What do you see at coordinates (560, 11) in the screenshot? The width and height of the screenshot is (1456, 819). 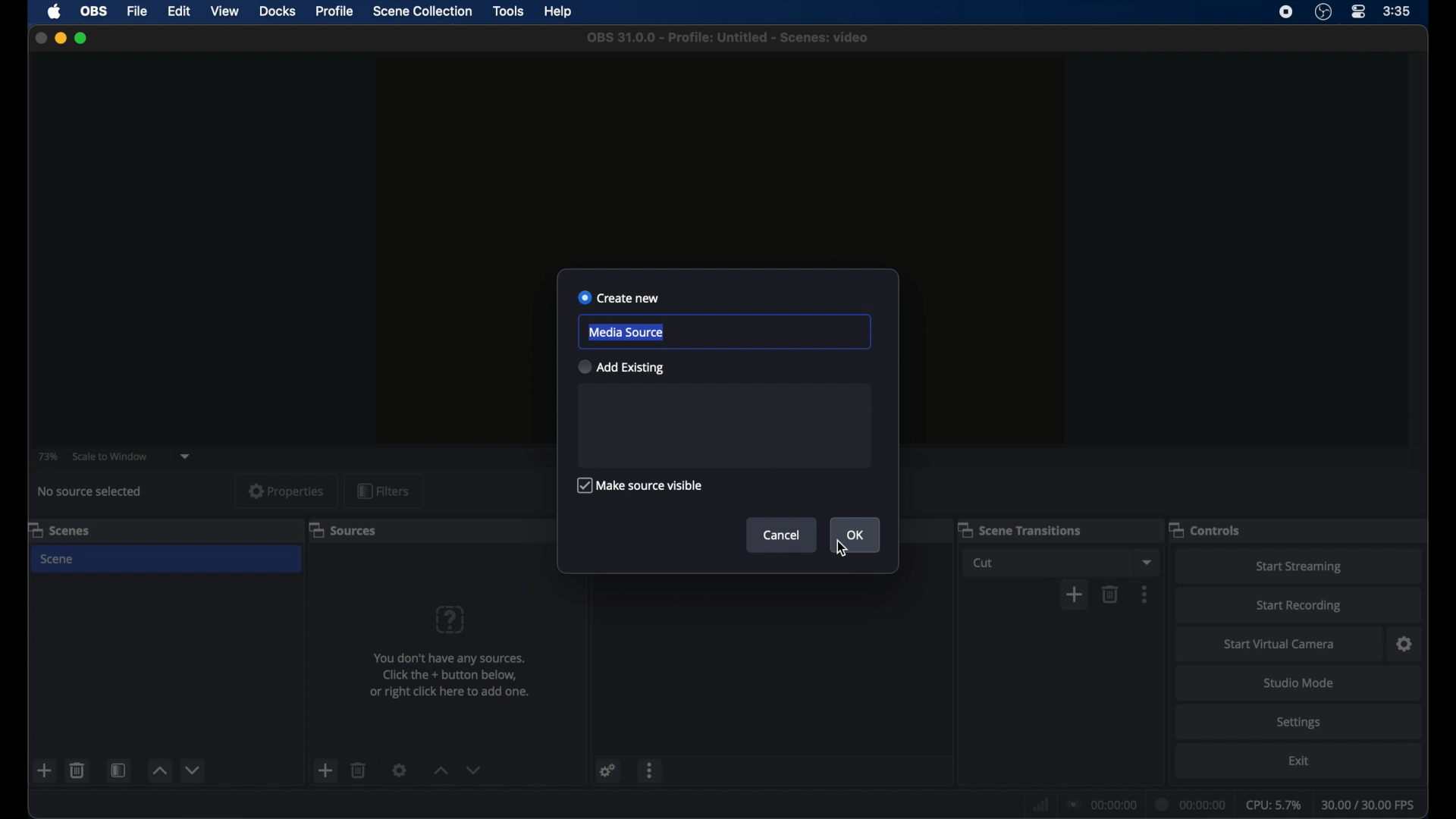 I see `help` at bounding box center [560, 11].